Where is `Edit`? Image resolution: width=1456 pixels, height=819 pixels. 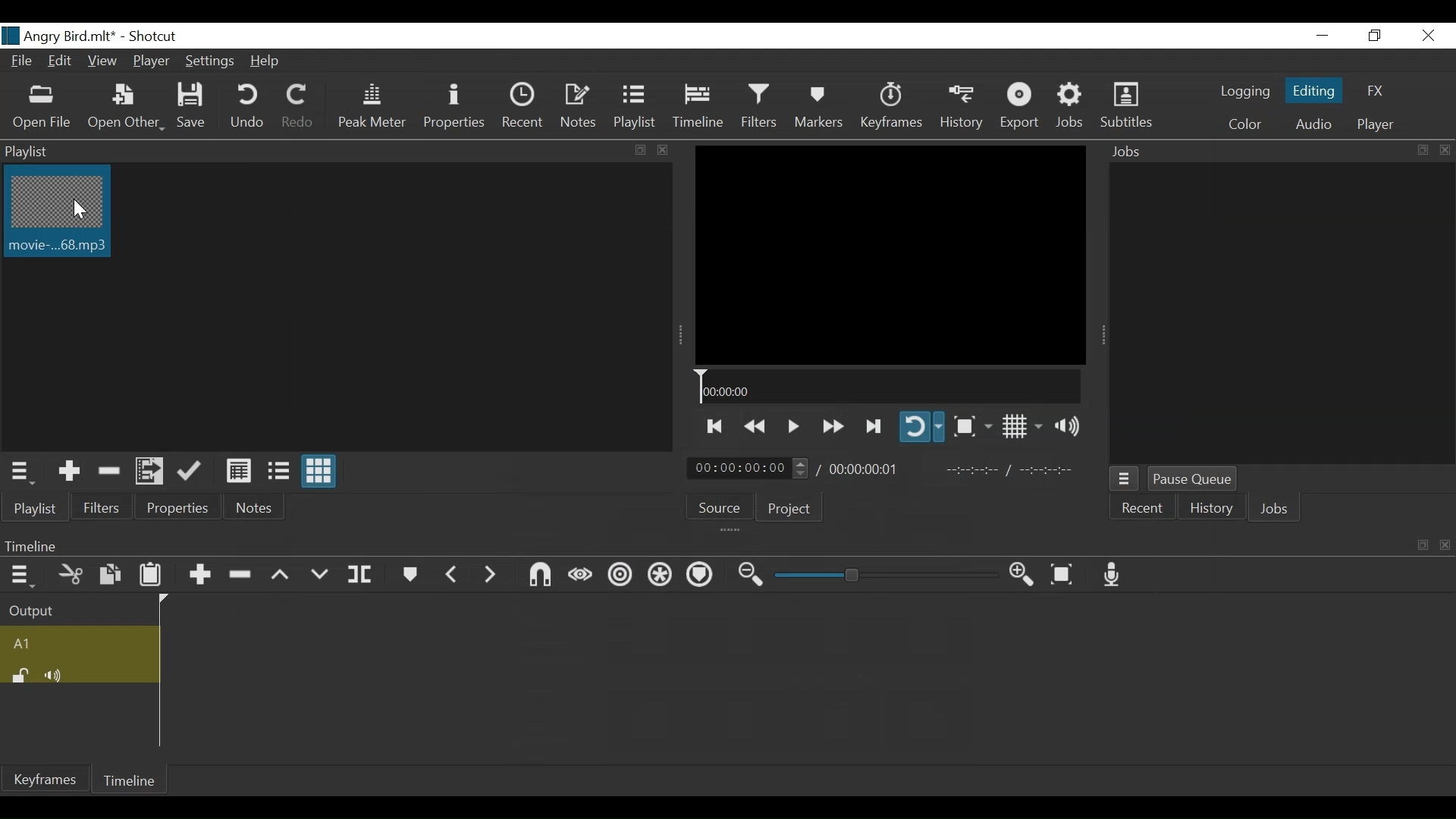 Edit is located at coordinates (61, 63).